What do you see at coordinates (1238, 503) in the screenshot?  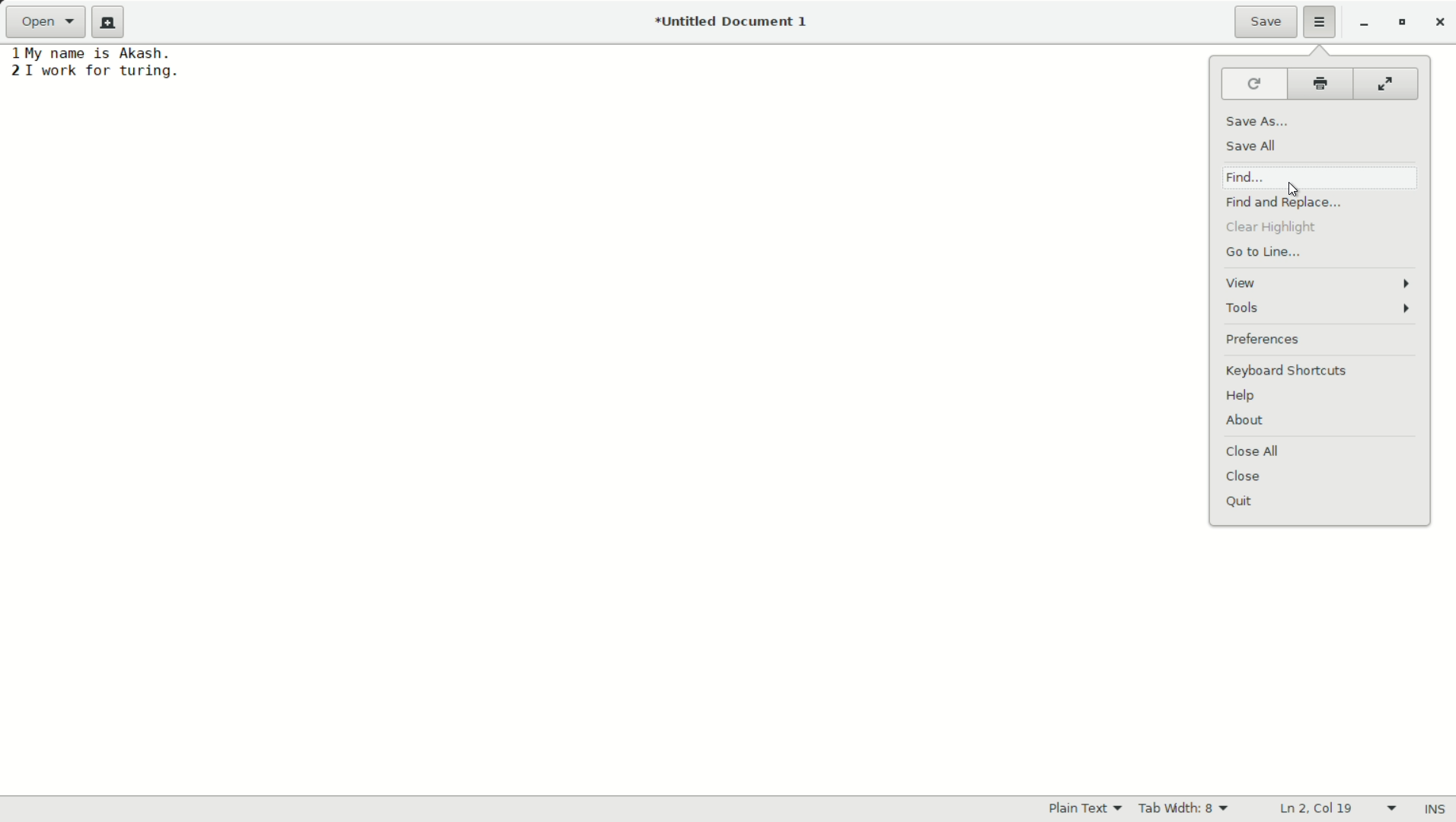 I see `quit` at bounding box center [1238, 503].